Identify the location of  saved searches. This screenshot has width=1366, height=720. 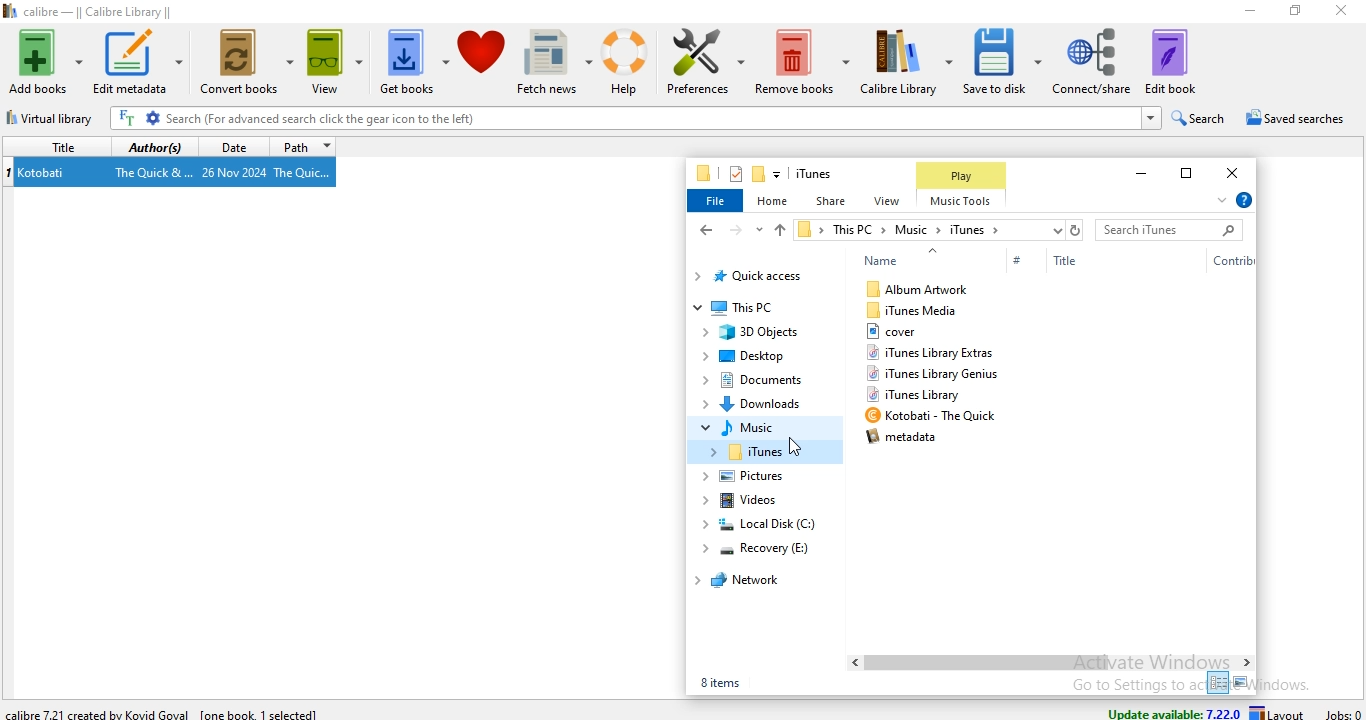
(1293, 118).